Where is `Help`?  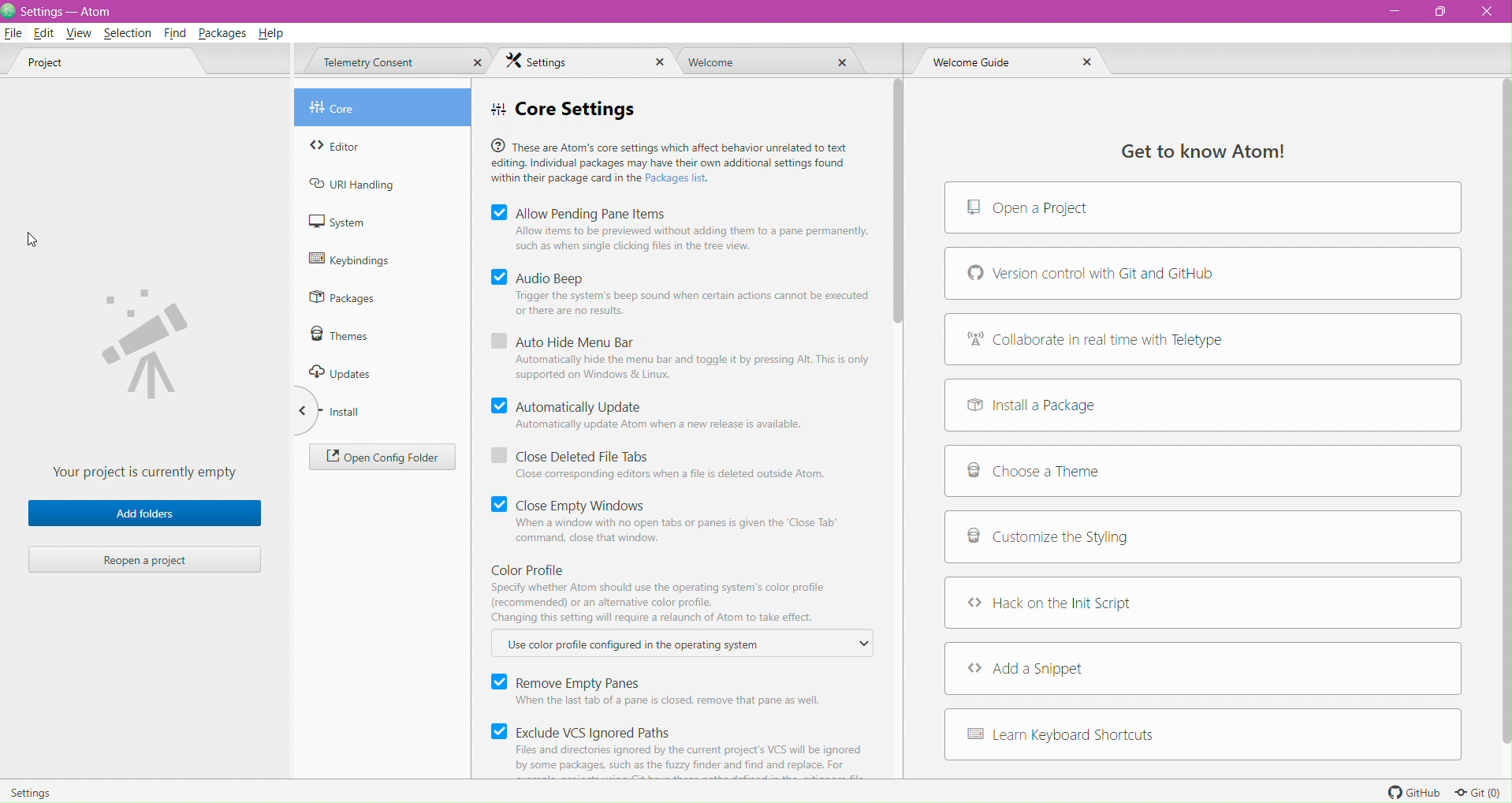 Help is located at coordinates (274, 32).